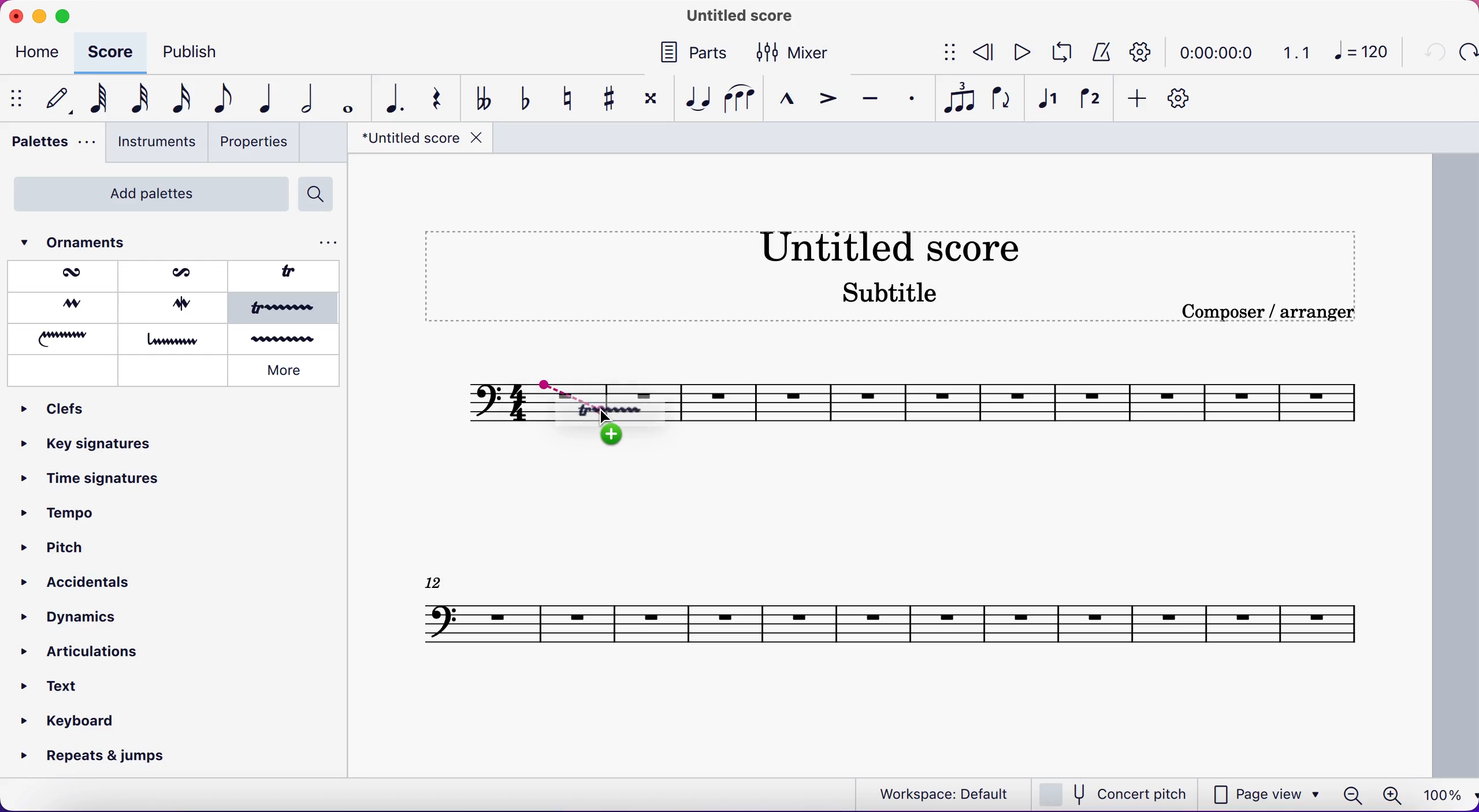 This screenshot has width=1479, height=812. What do you see at coordinates (112, 51) in the screenshot?
I see `score` at bounding box center [112, 51].